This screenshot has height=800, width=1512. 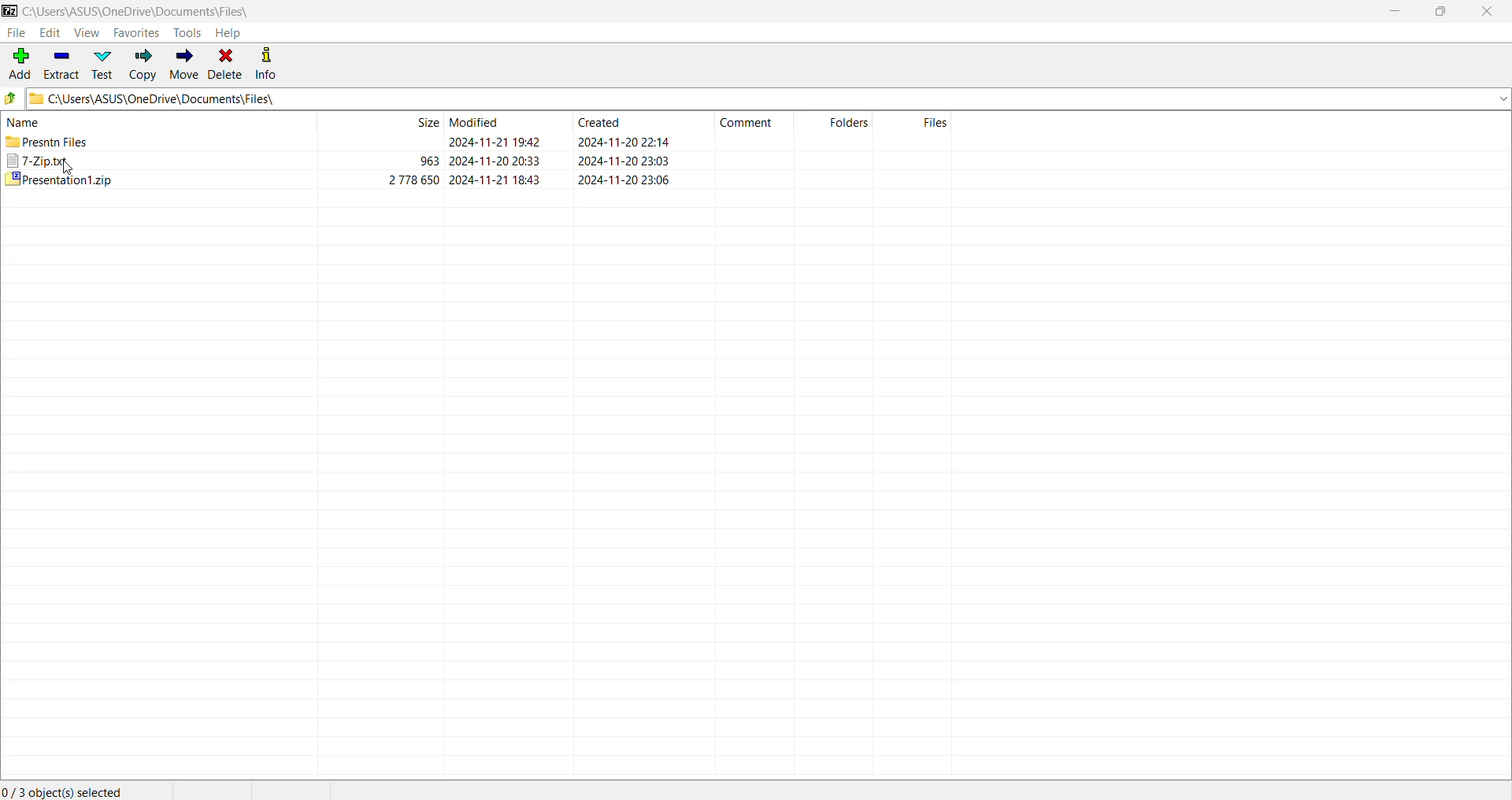 What do you see at coordinates (625, 160) in the screenshot?
I see `created date & tim` at bounding box center [625, 160].